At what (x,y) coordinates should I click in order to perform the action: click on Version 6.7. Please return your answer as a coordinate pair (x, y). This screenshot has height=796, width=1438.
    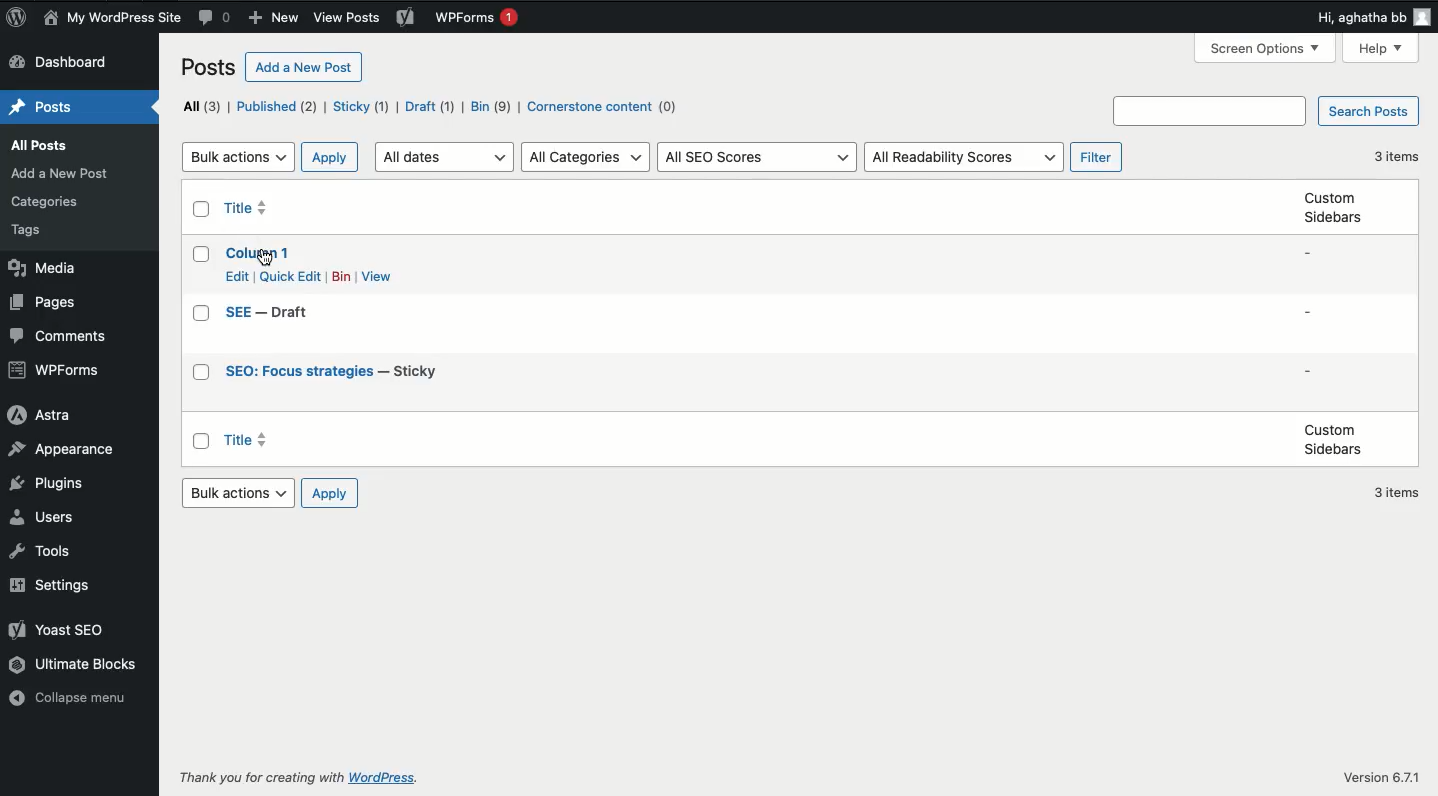
    Looking at the image, I should click on (1383, 776).